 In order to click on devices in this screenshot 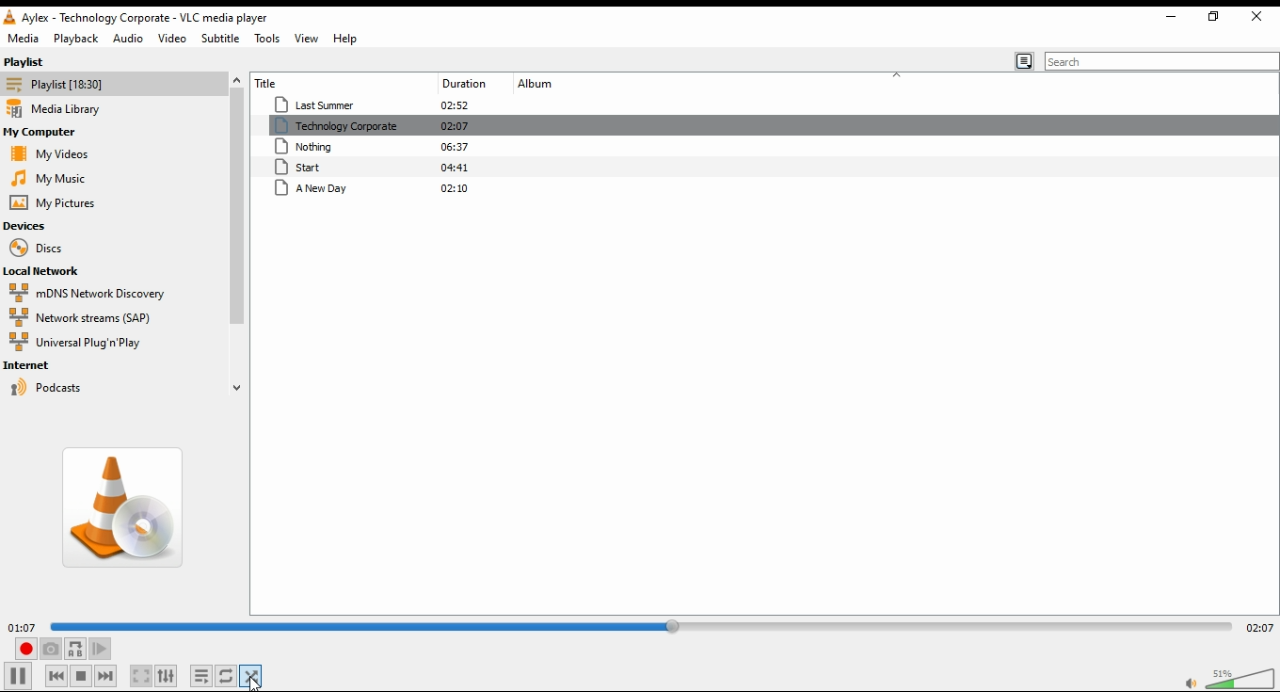, I will do `click(26, 225)`.